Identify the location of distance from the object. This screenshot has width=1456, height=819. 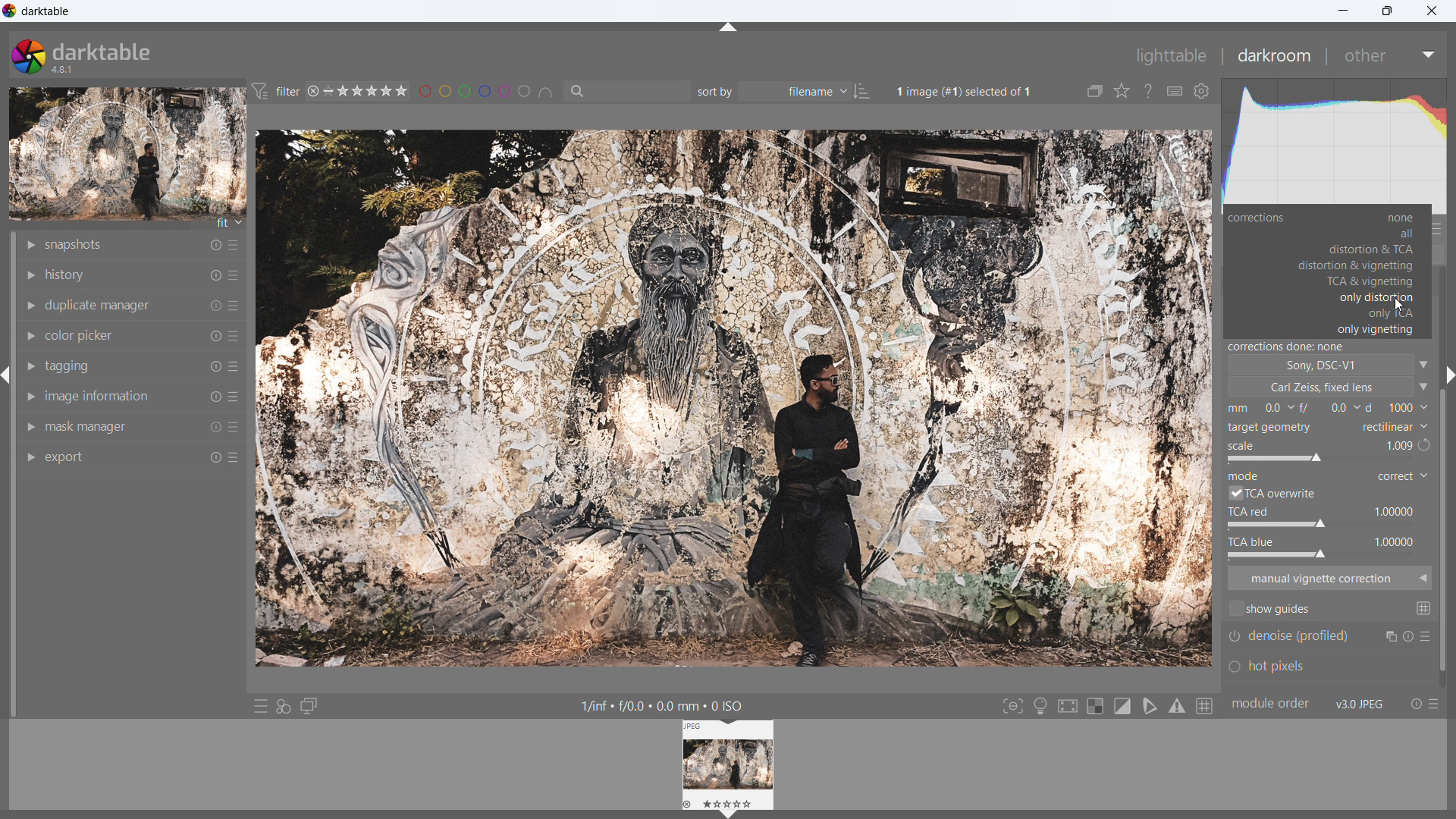
(1329, 409).